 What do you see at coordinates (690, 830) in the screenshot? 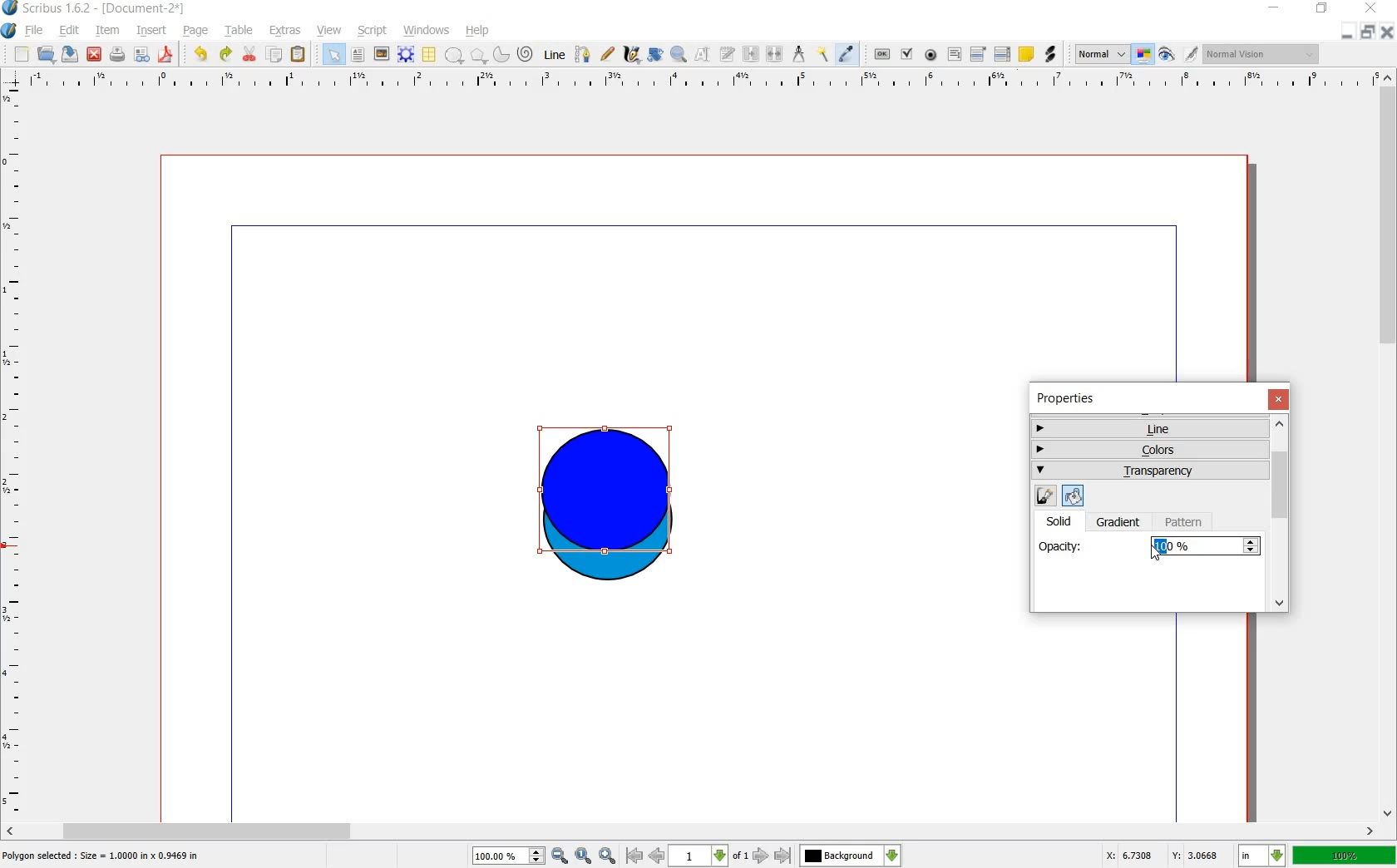
I see `scroll bar` at bounding box center [690, 830].